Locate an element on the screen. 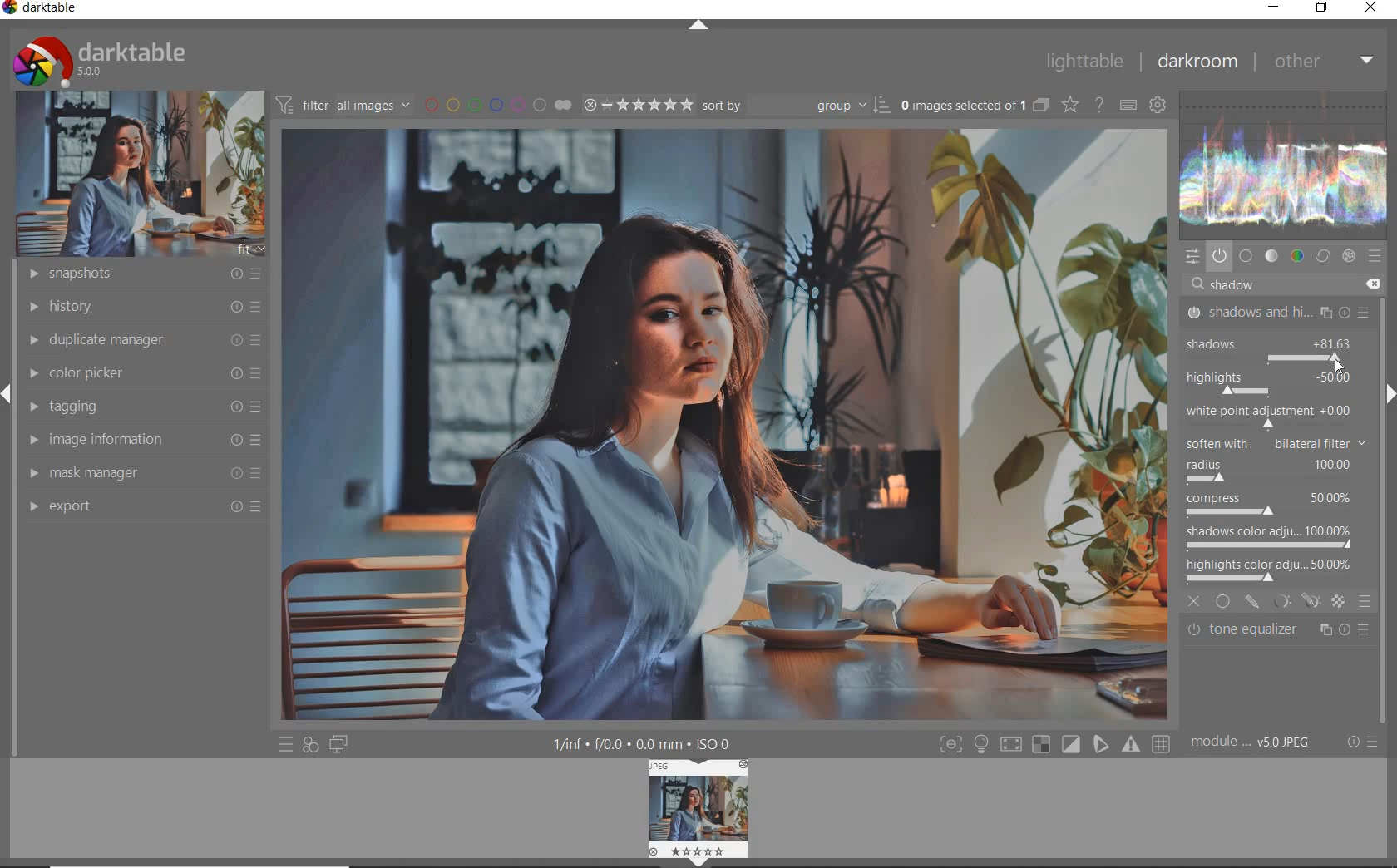 The height and width of the screenshot is (868, 1397). shadows & highlights is located at coordinates (1279, 312).